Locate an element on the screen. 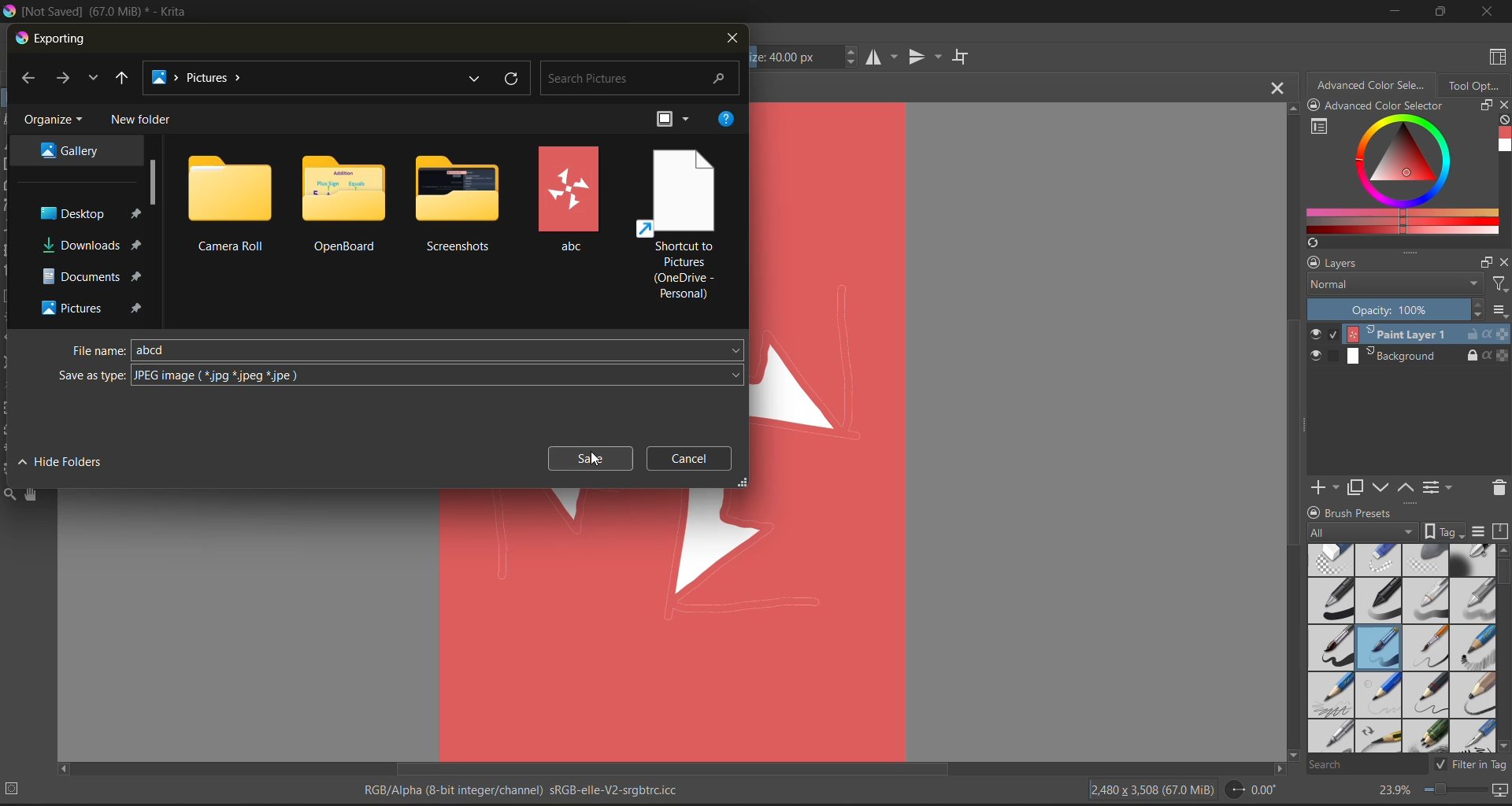 The image size is (1512, 806). choose workspace is located at coordinates (1499, 57).